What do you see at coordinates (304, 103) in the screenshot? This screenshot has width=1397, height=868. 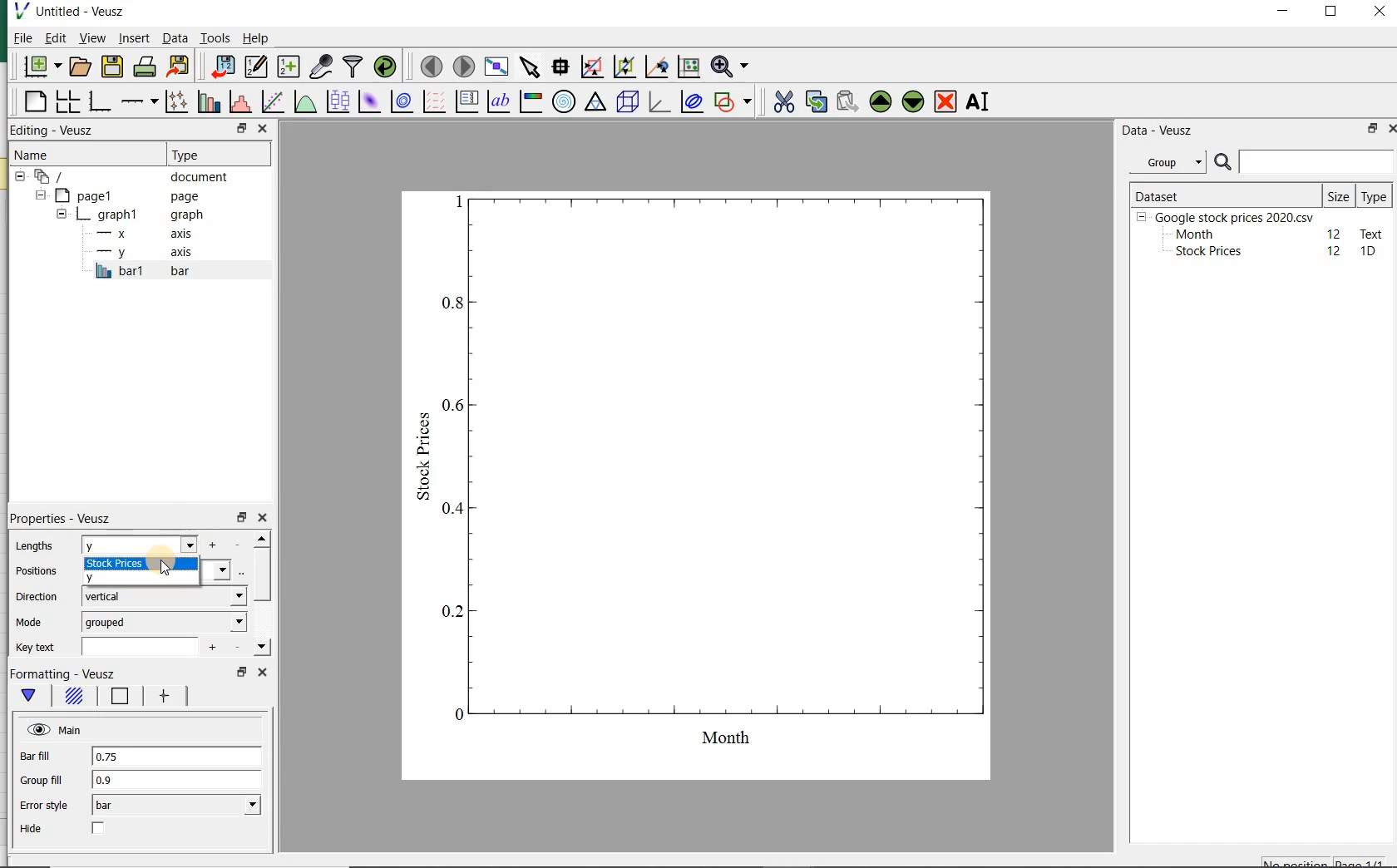 I see `plot a function` at bounding box center [304, 103].